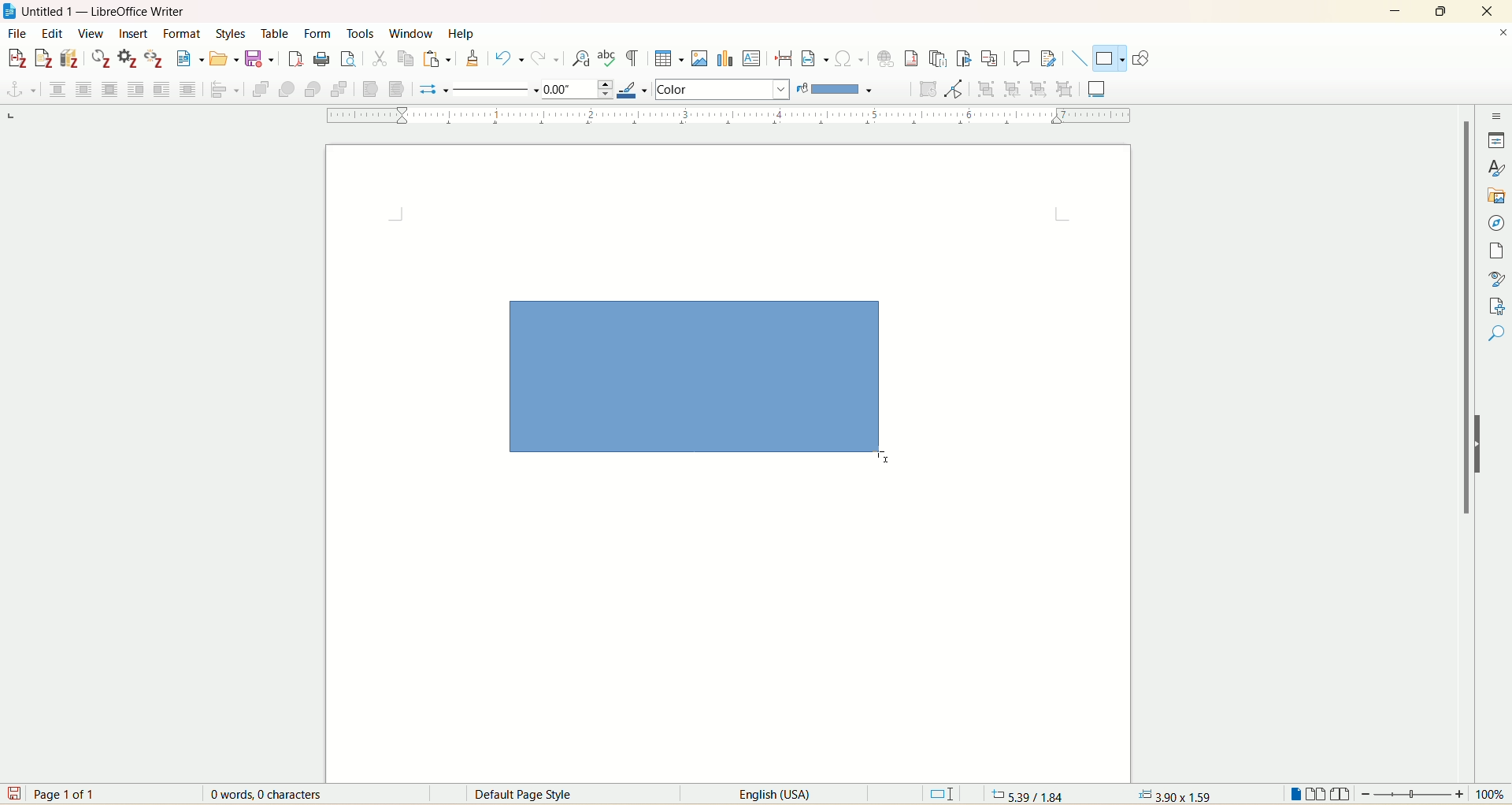 This screenshot has width=1512, height=805. What do you see at coordinates (294, 60) in the screenshot?
I see `export as pdf` at bounding box center [294, 60].